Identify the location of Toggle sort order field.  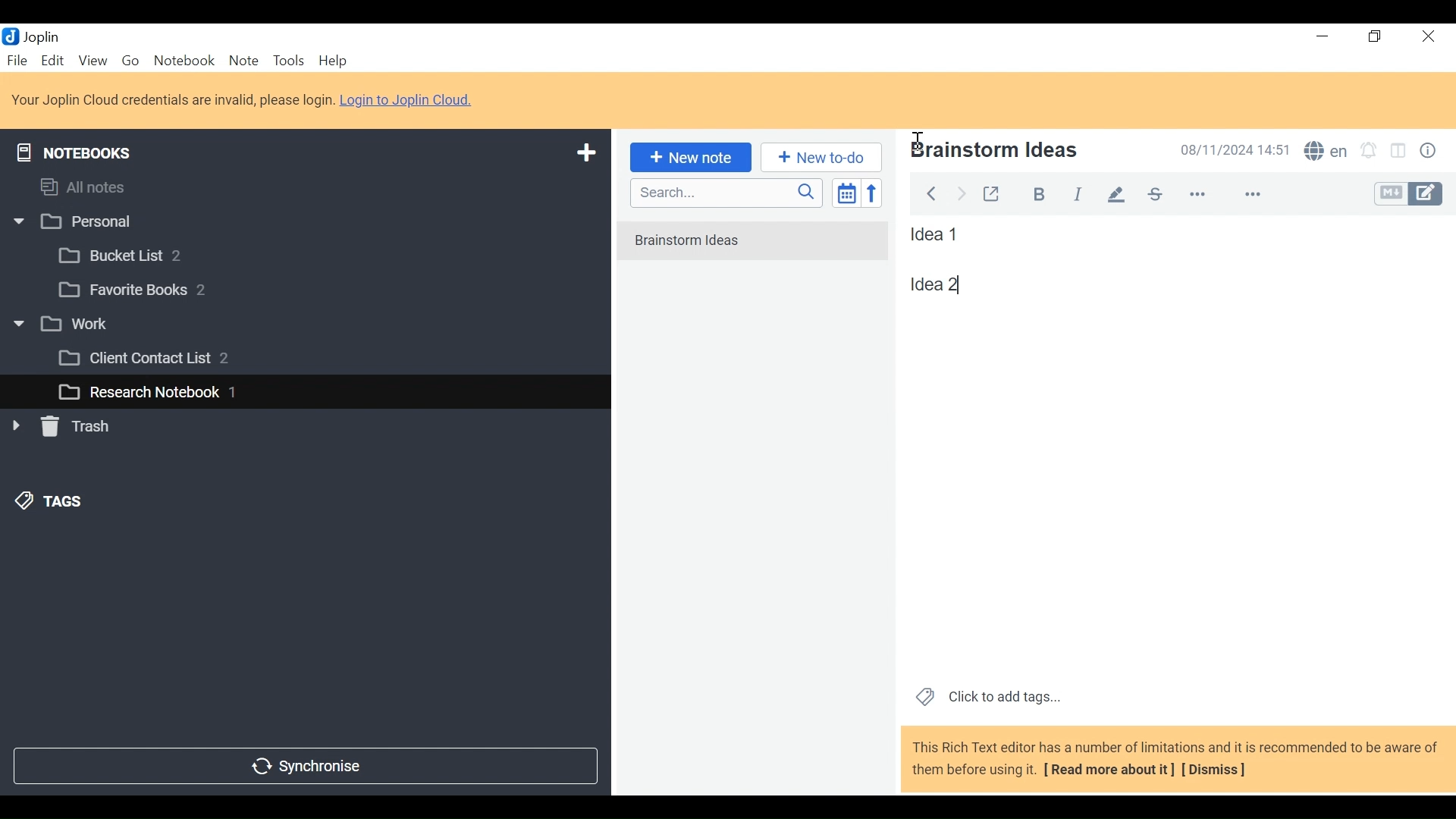
(845, 192).